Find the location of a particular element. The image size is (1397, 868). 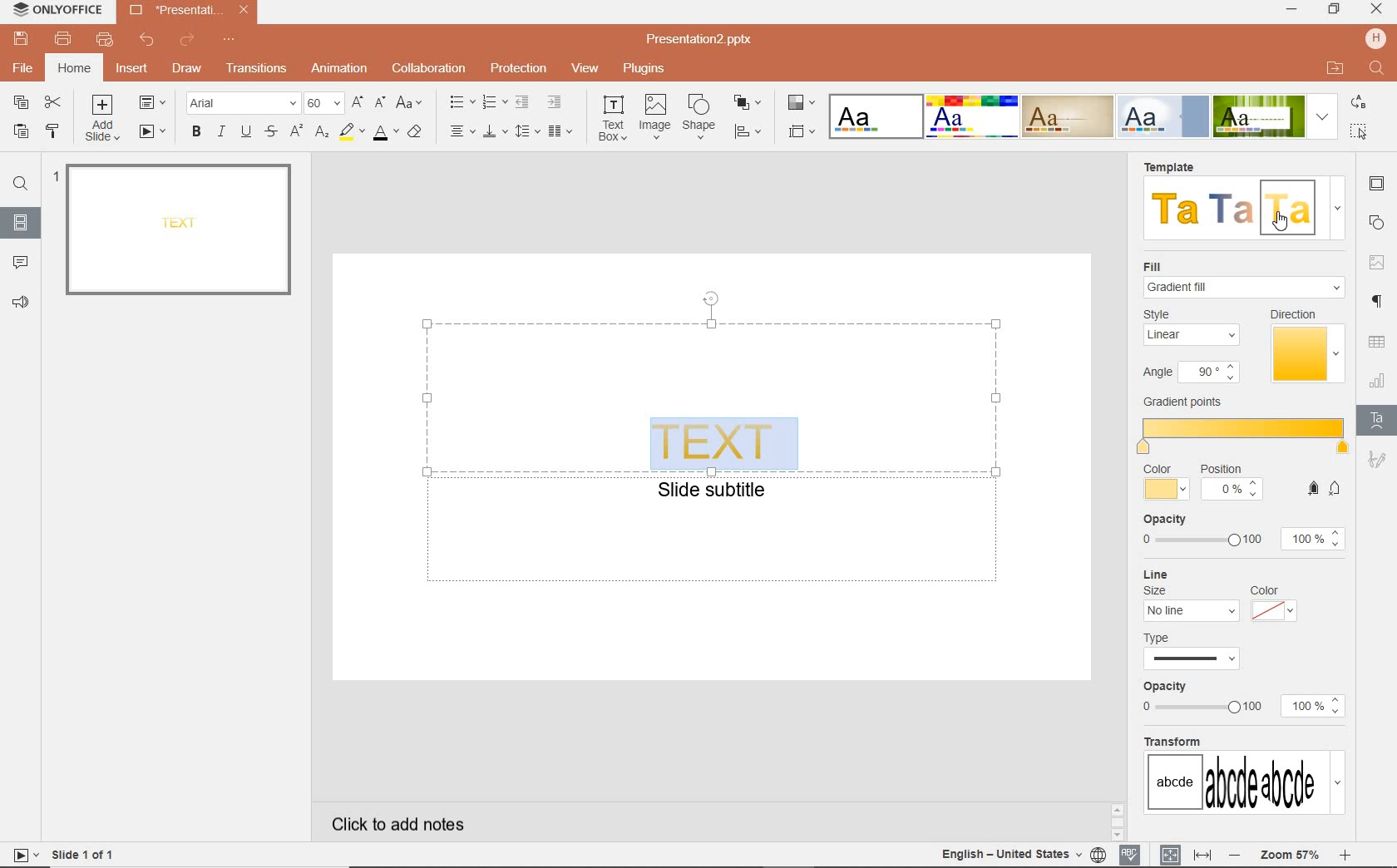

BULLETS is located at coordinates (462, 102).